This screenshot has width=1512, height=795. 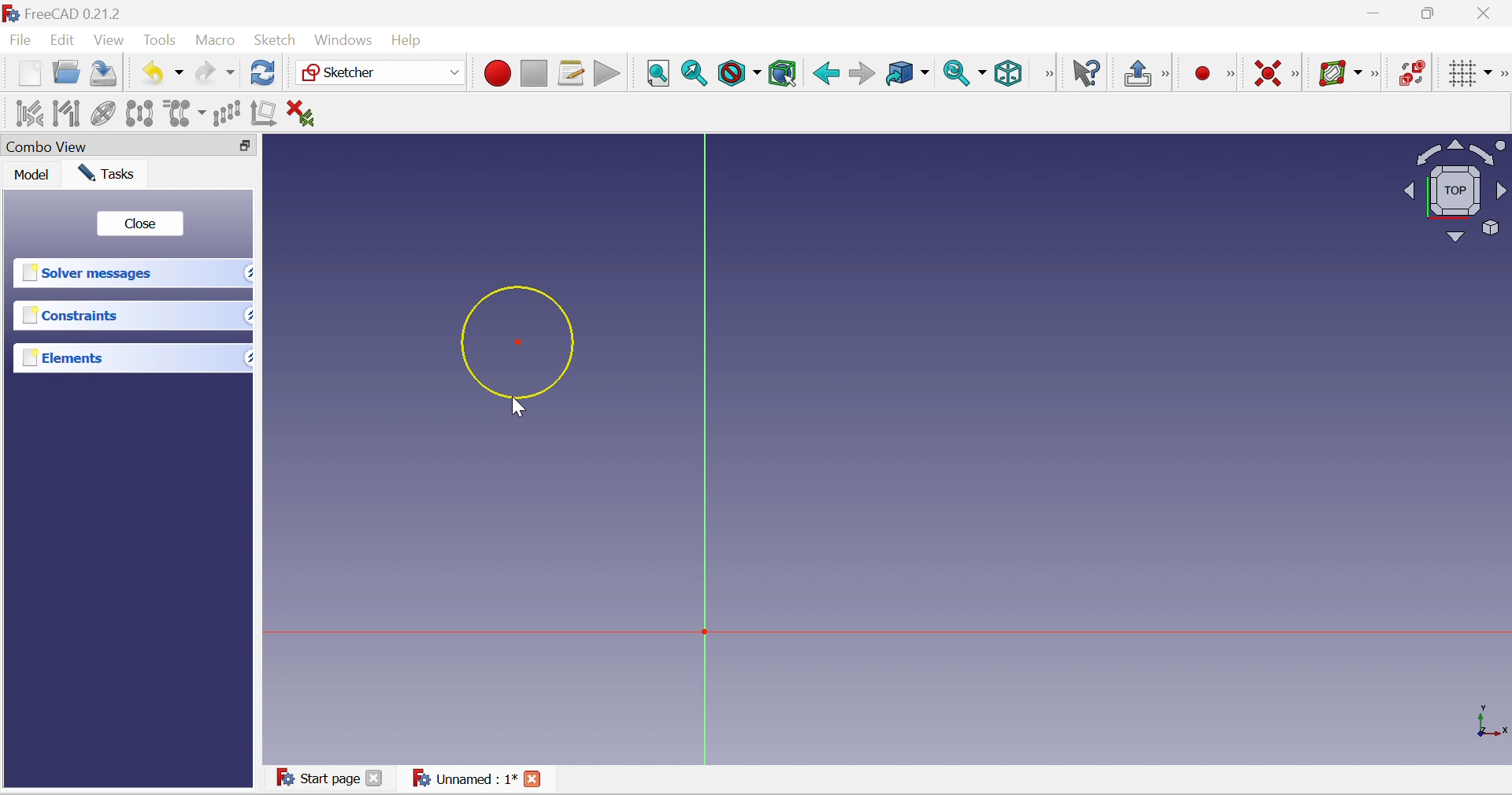 I want to click on Toggle grid, so click(x=1462, y=73).